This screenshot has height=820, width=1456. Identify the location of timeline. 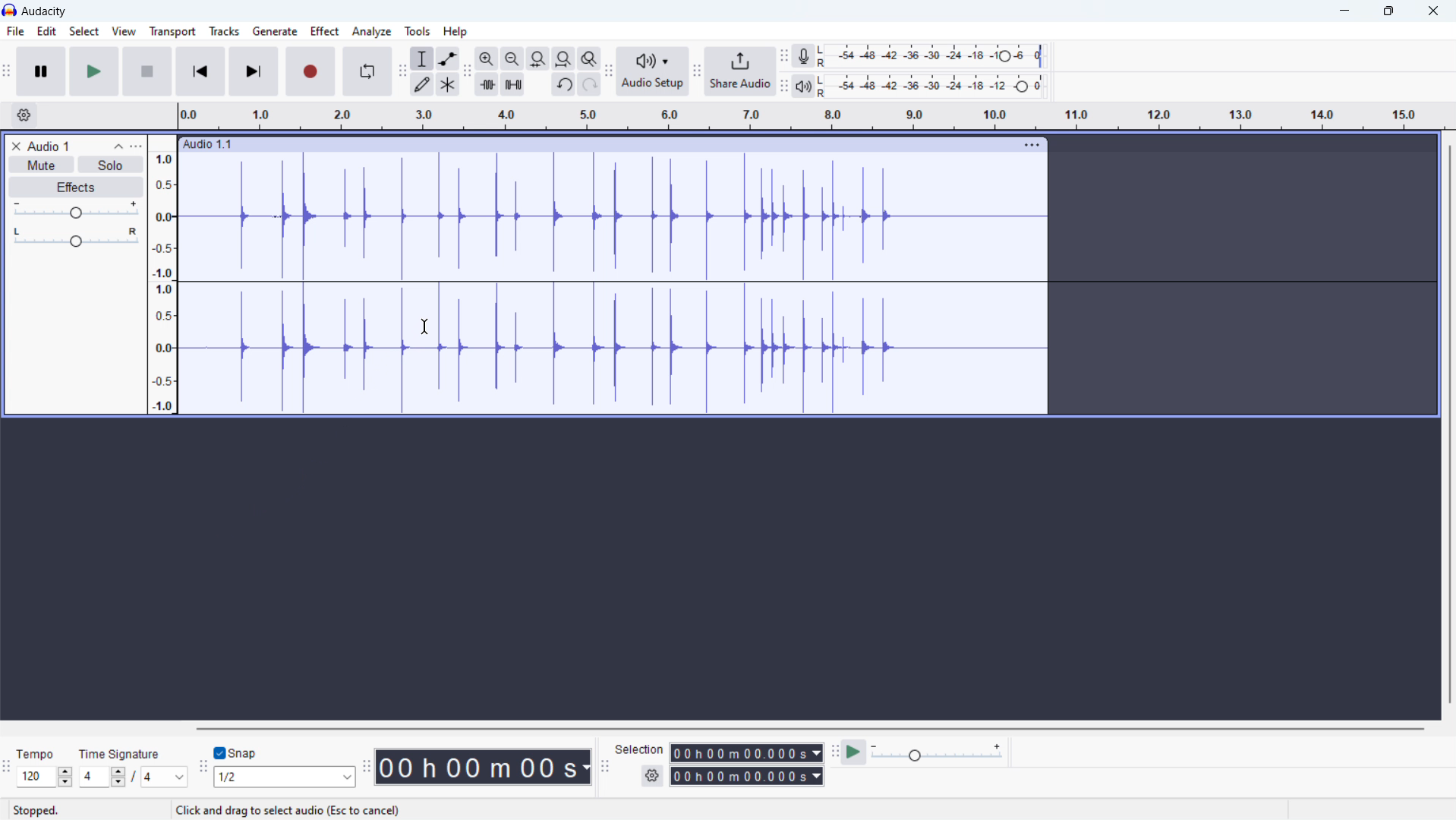
(811, 116).